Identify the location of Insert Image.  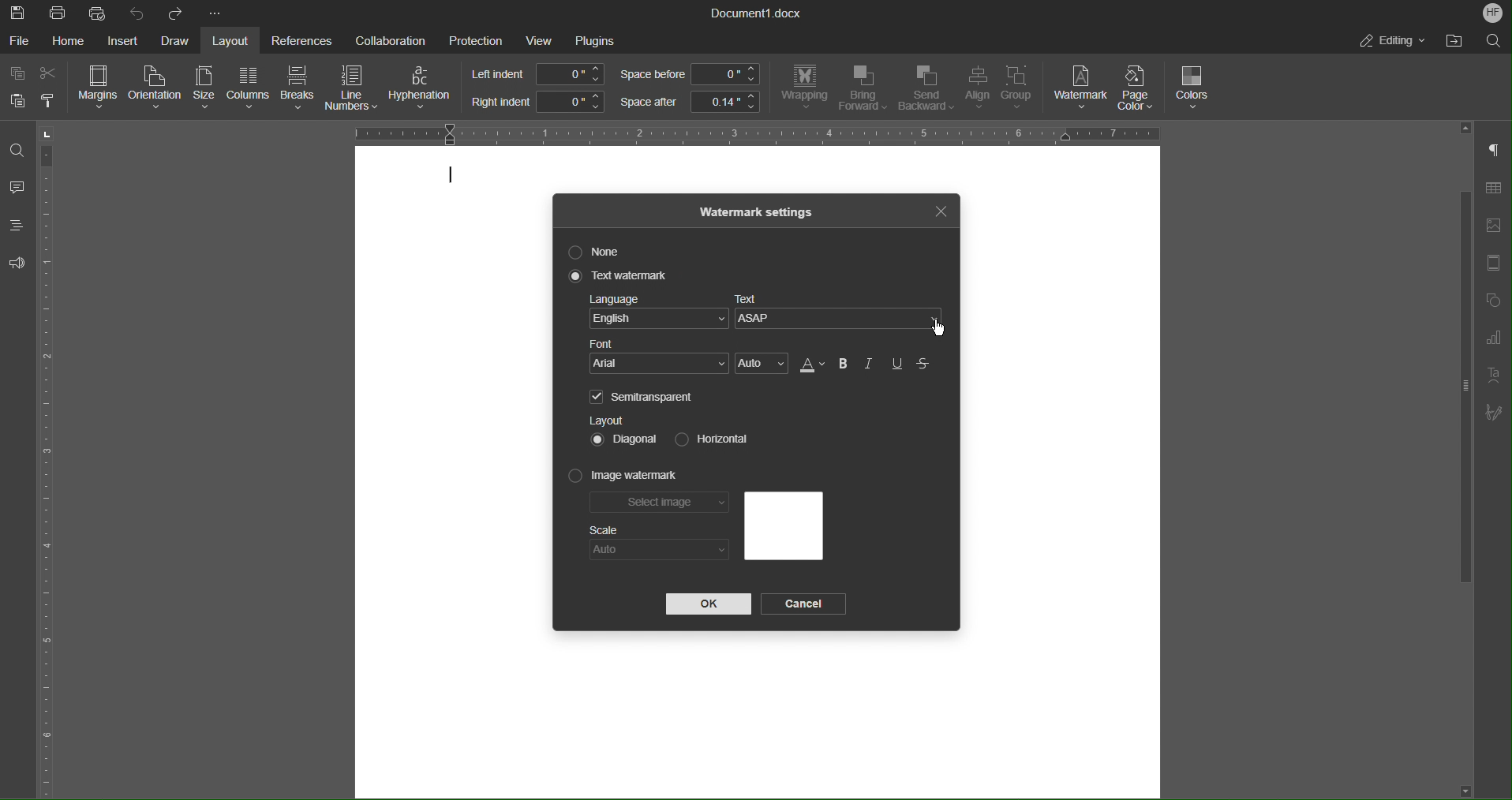
(1493, 226).